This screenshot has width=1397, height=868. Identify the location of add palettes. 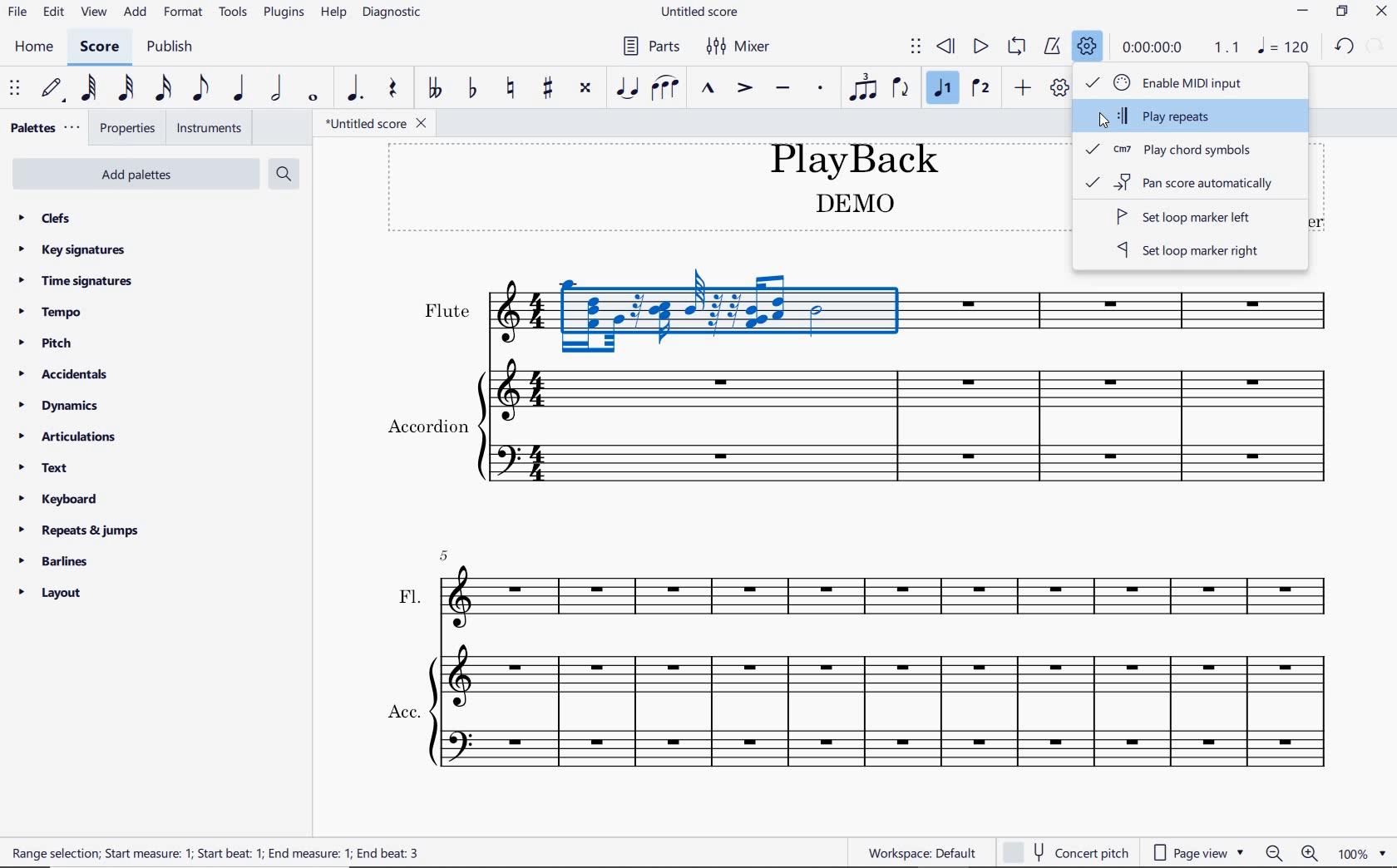
(136, 174).